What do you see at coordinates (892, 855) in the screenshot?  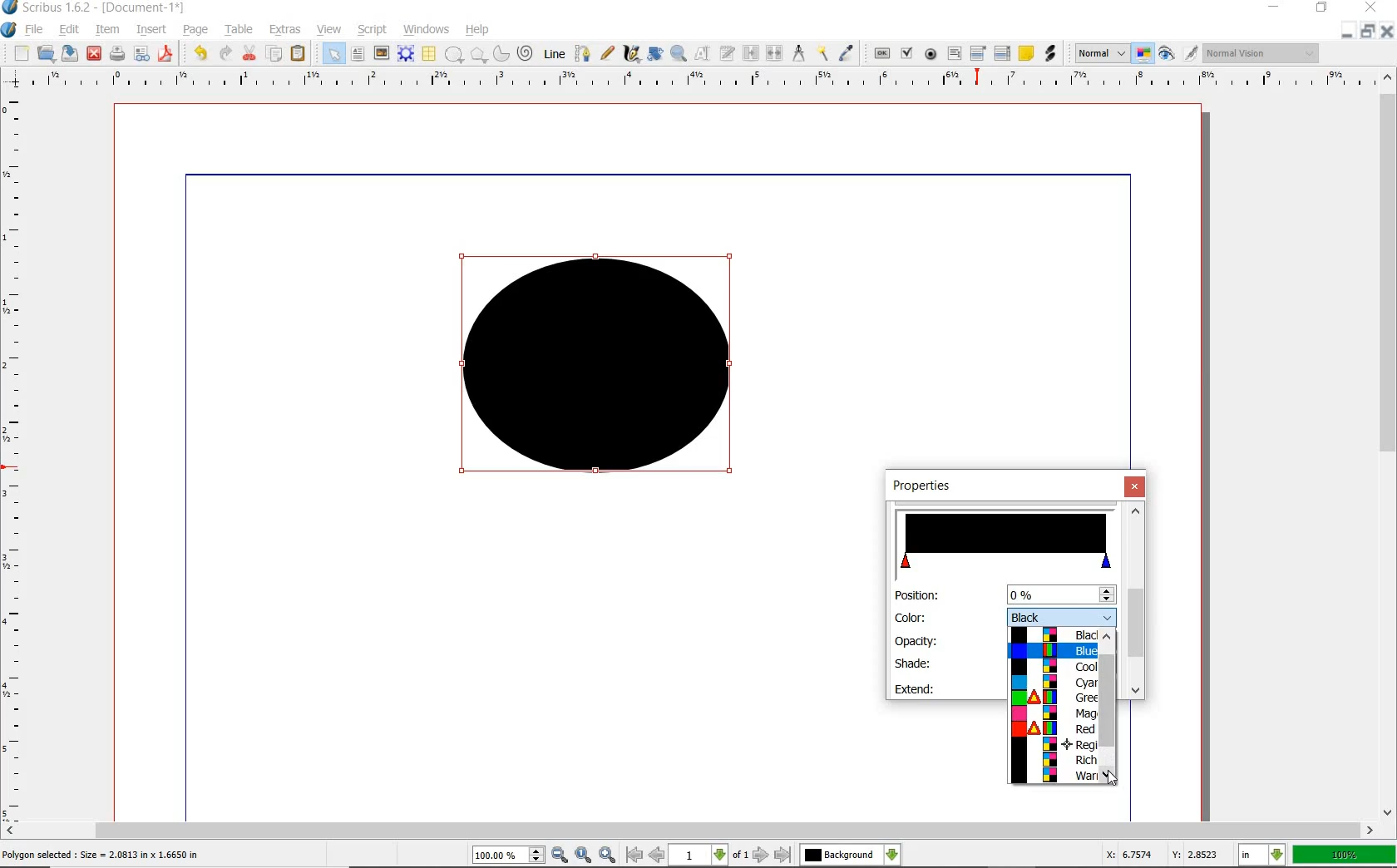 I see `select the current layer` at bounding box center [892, 855].